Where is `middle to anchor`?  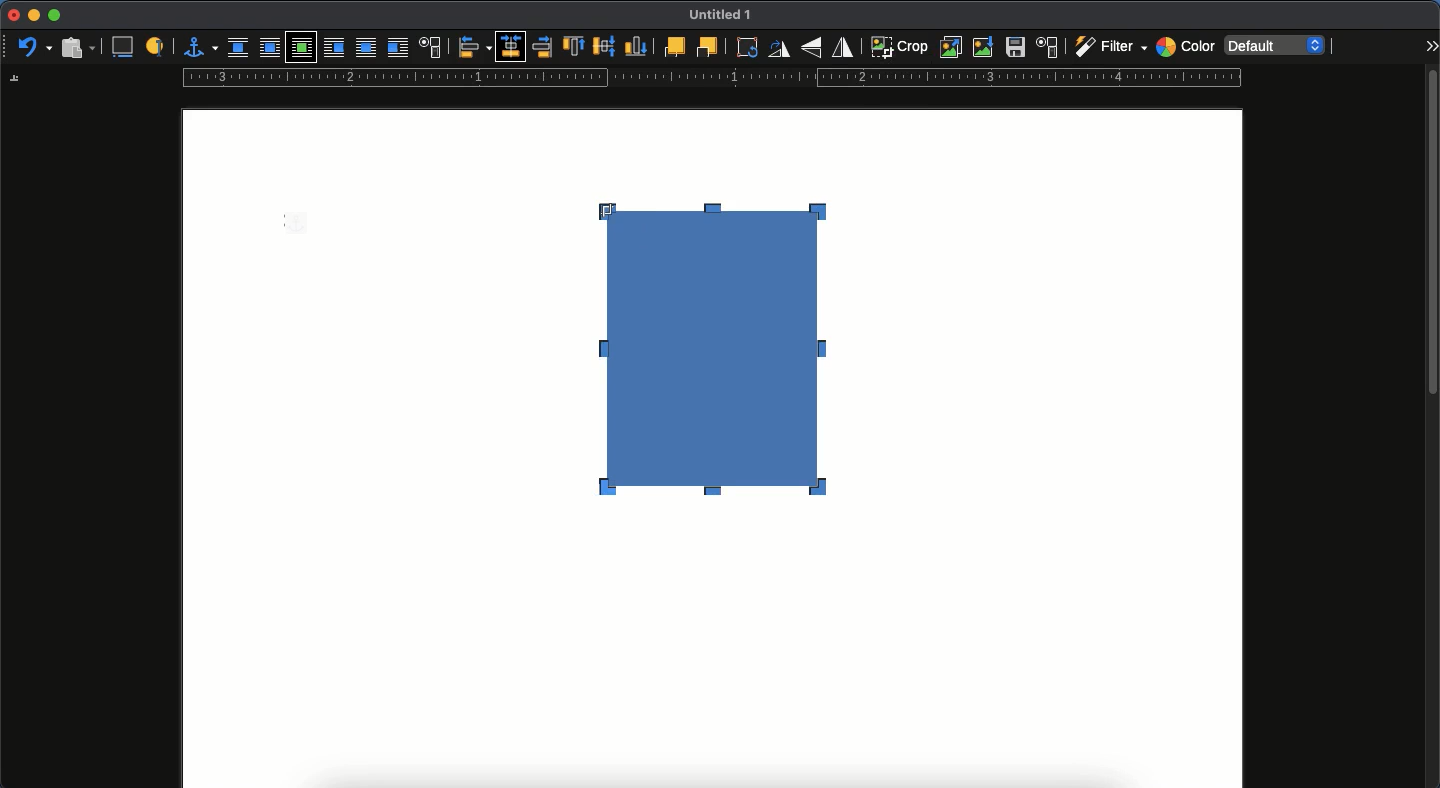
middle to anchor is located at coordinates (605, 46).